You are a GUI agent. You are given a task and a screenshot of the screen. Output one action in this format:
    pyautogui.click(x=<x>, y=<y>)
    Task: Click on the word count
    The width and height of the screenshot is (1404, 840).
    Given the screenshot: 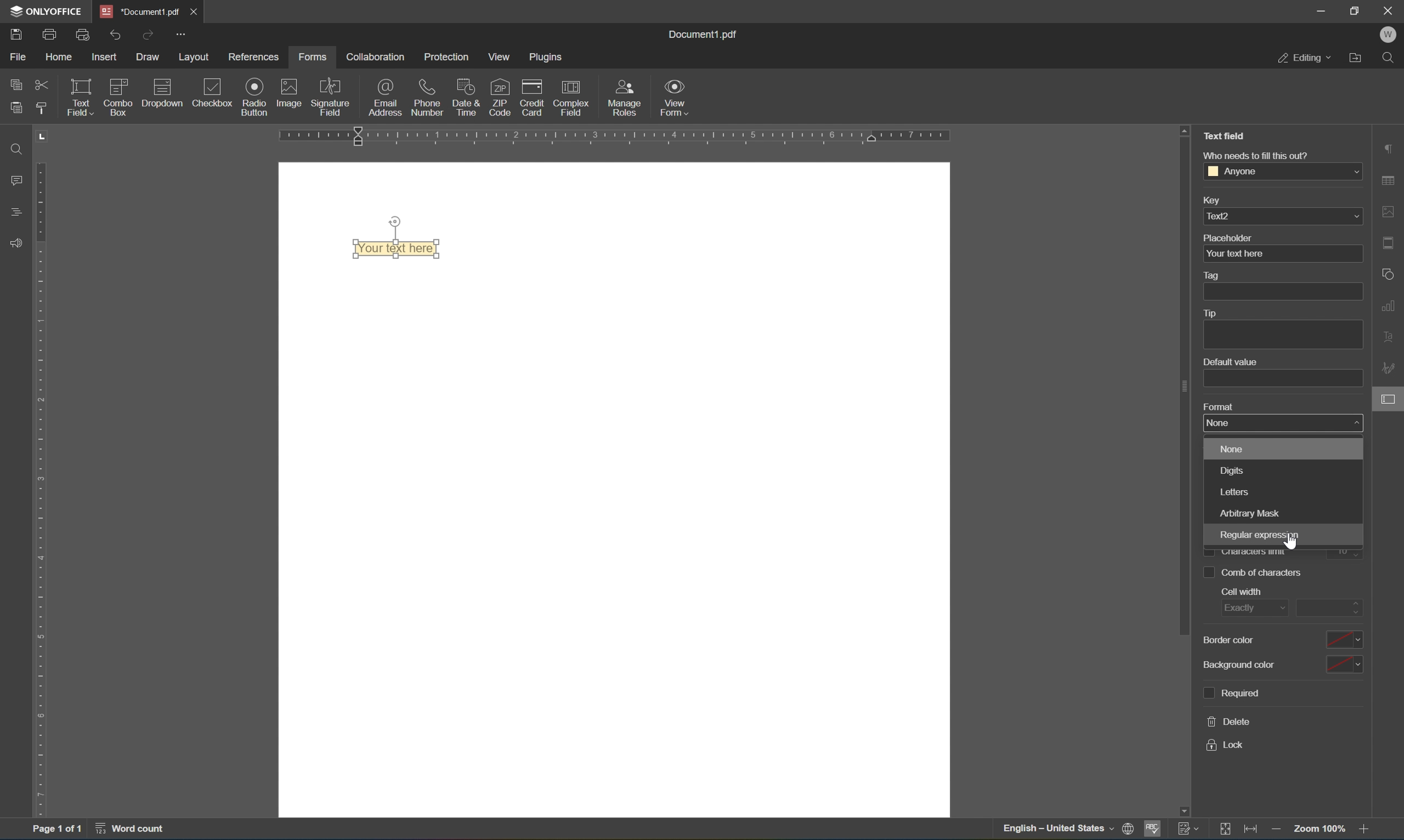 What is the action you would take?
    pyautogui.click(x=134, y=830)
    